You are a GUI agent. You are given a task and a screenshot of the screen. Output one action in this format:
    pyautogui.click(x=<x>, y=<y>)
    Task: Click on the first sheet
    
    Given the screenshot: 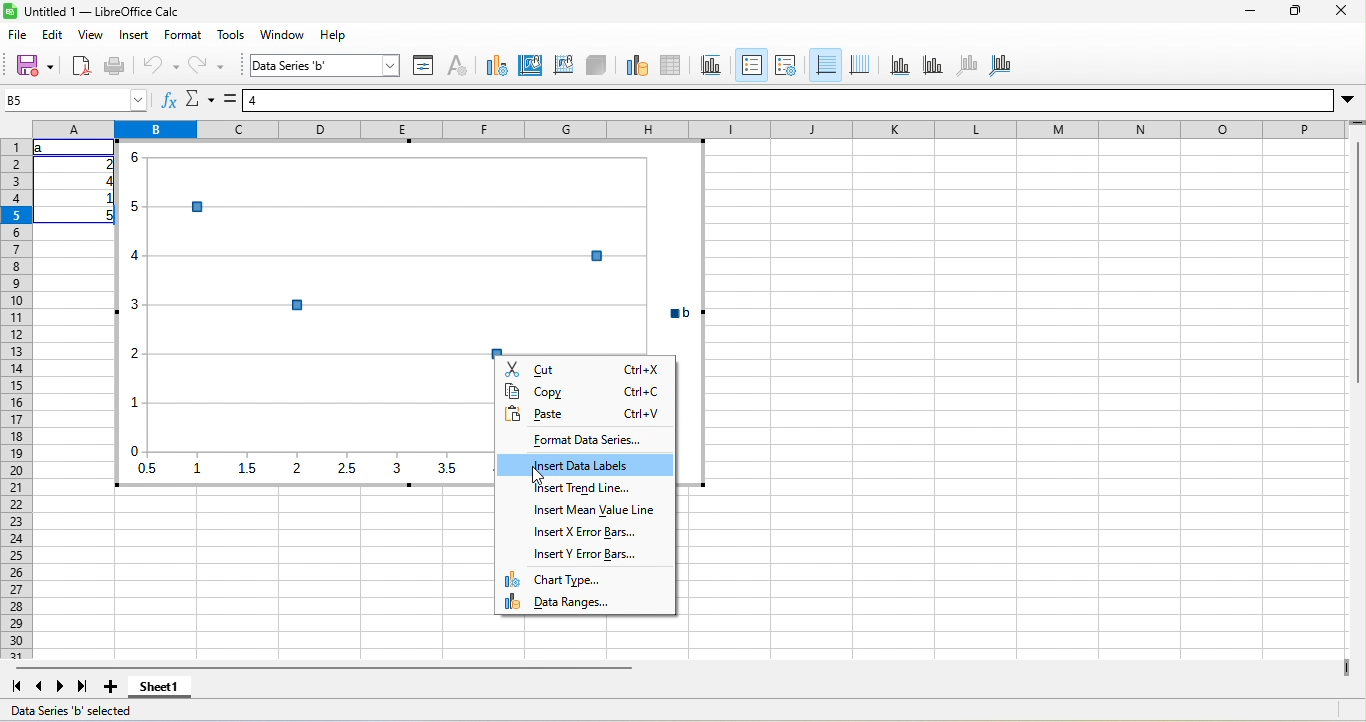 What is the action you would take?
    pyautogui.click(x=16, y=686)
    